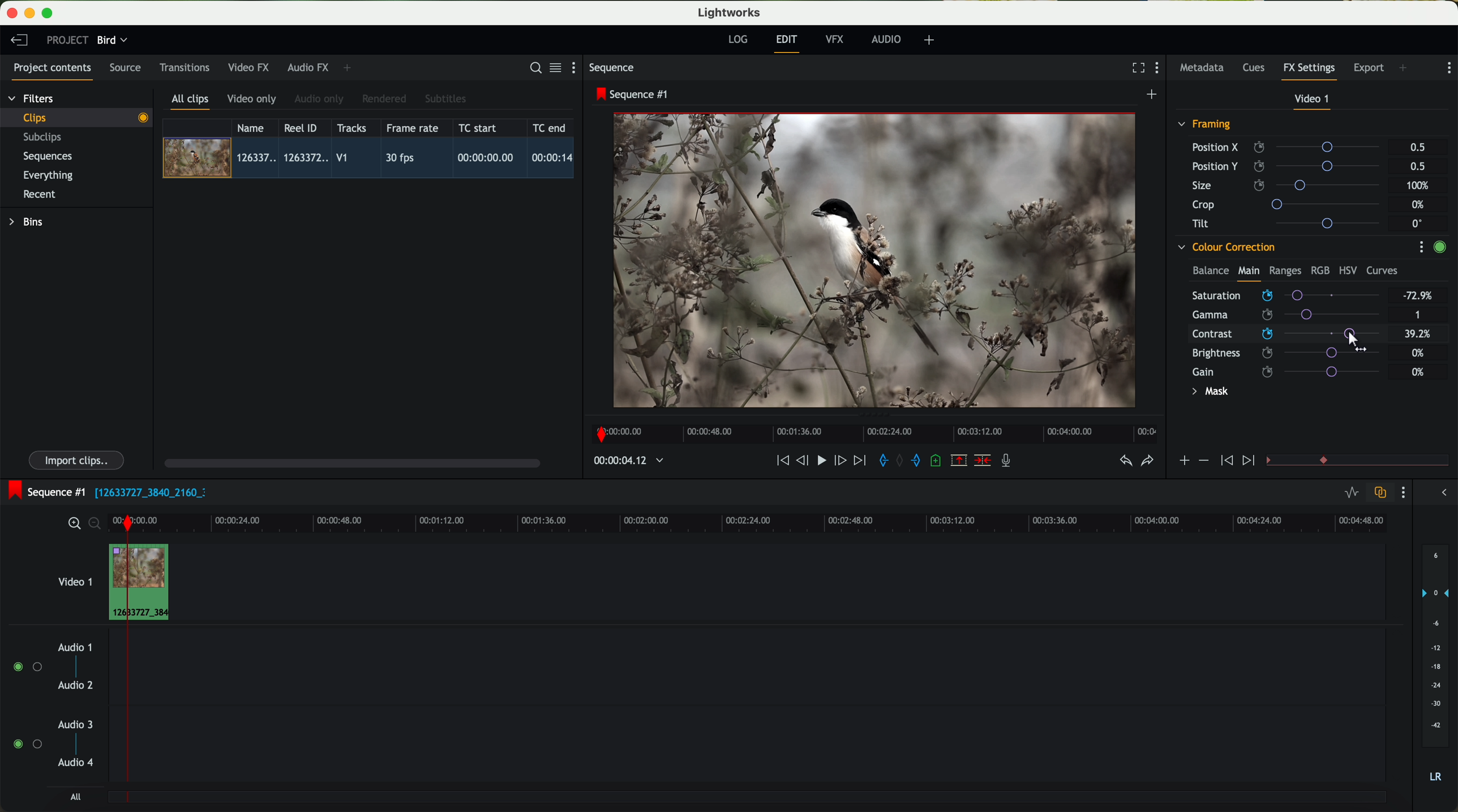 The image size is (1458, 812). I want to click on video only, so click(251, 100).